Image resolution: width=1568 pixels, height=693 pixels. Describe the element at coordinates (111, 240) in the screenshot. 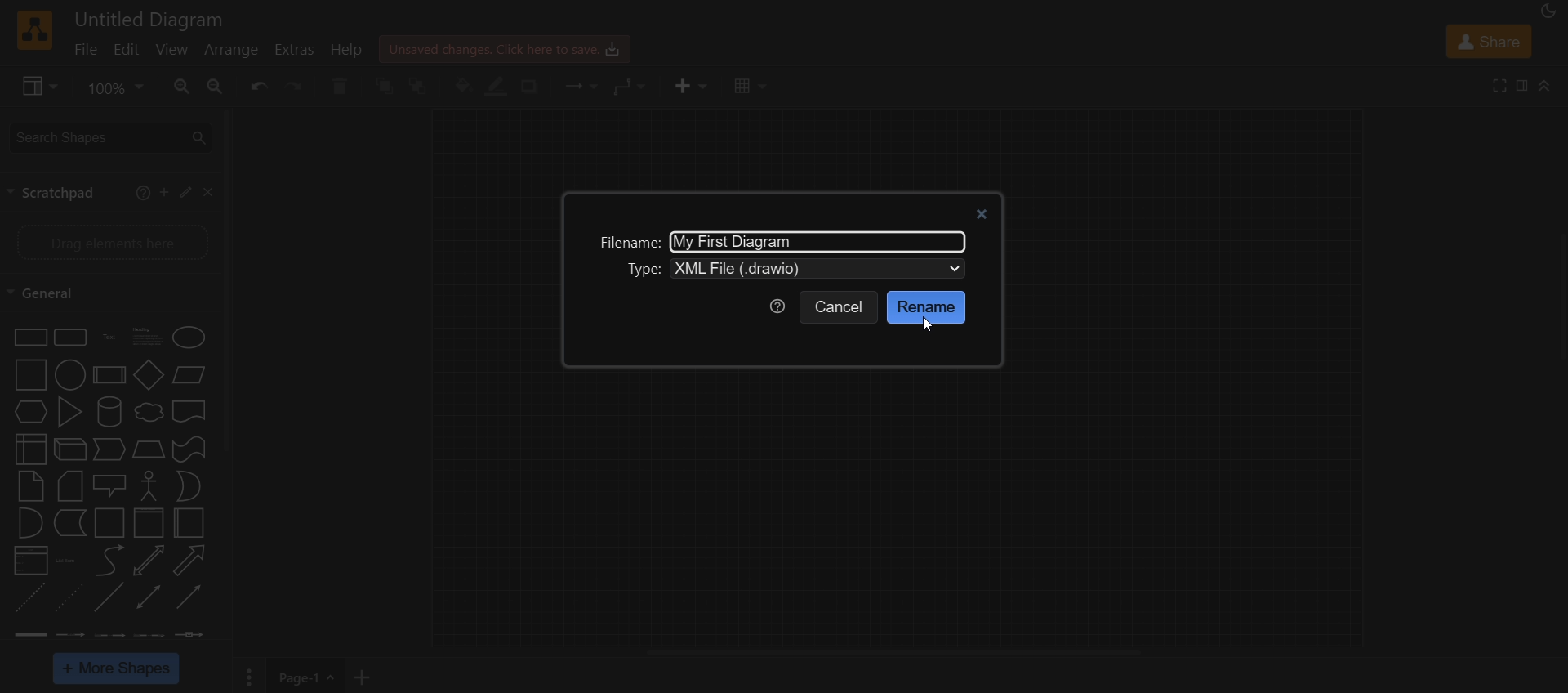

I see `drag elements here` at that location.